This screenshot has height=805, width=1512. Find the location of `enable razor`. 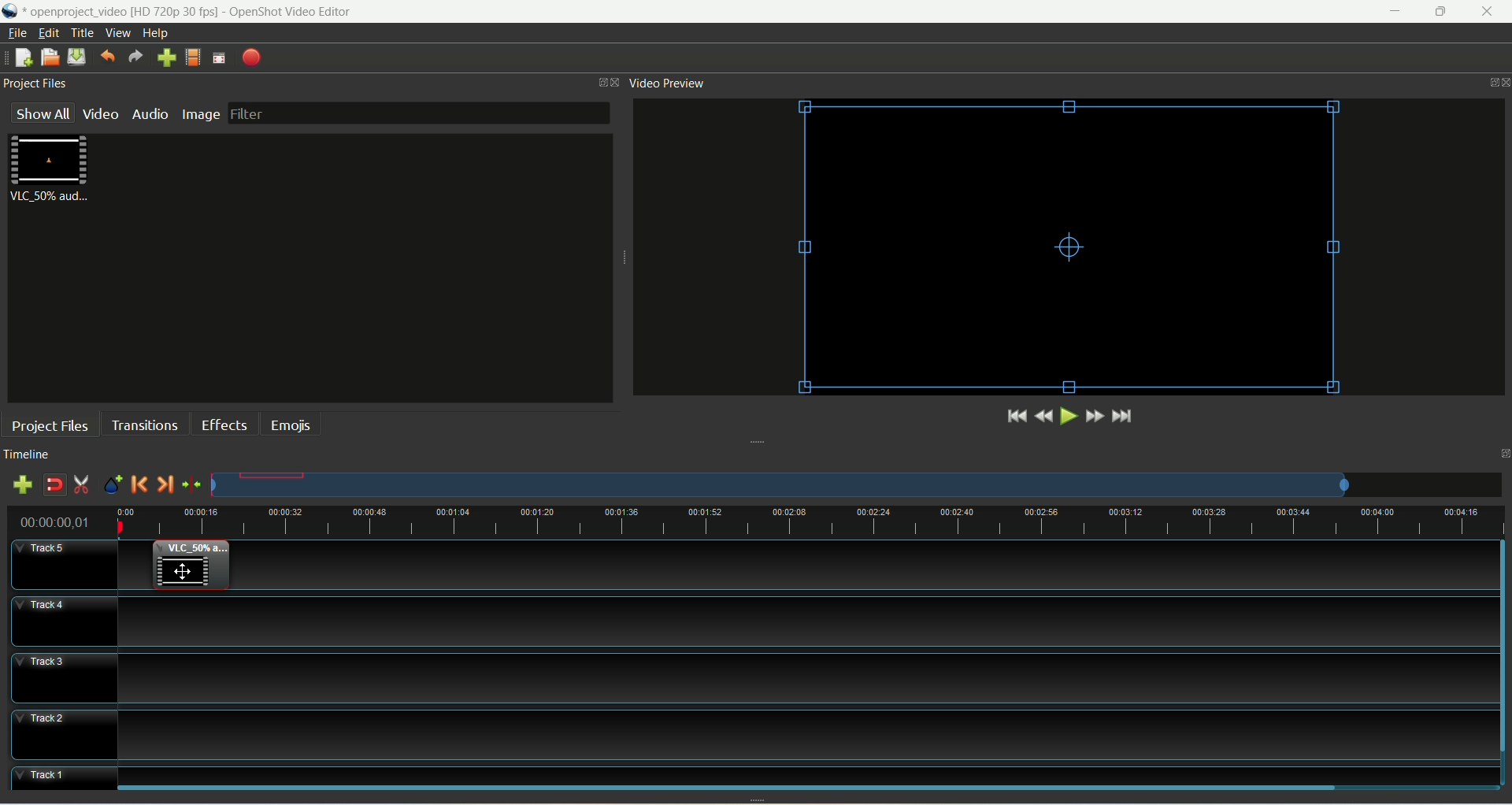

enable razor is located at coordinates (83, 487).